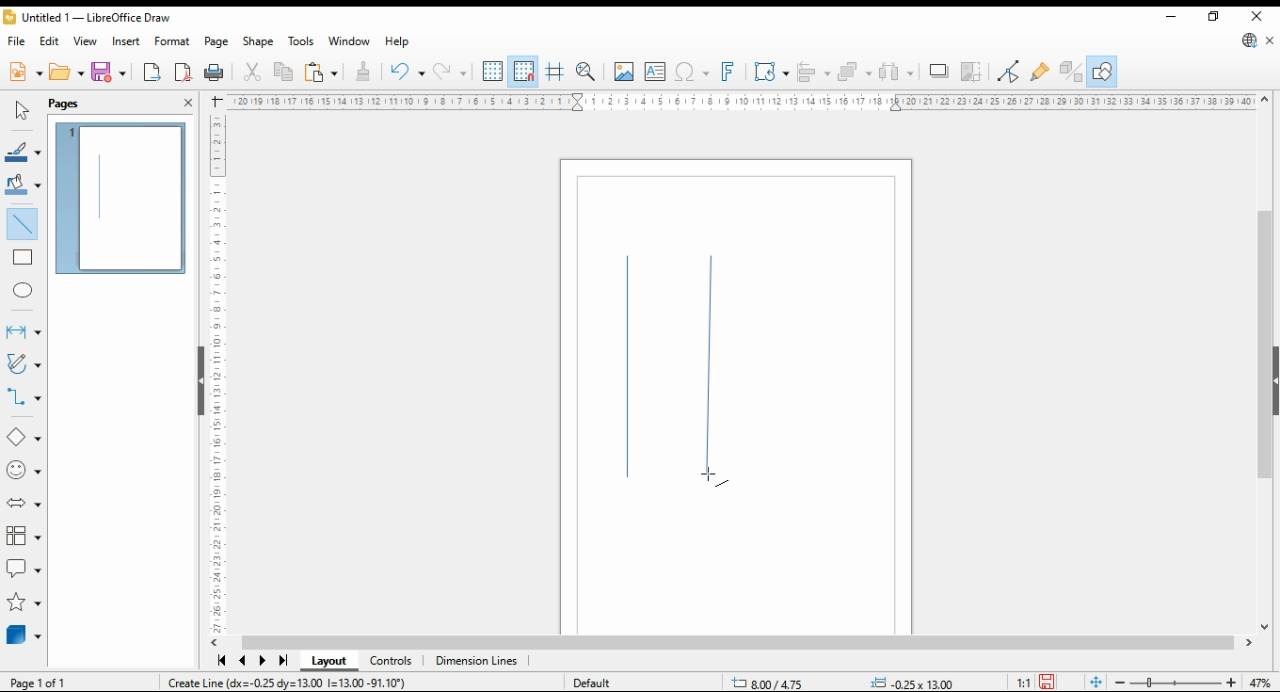 The image size is (1280, 692). Describe the element at coordinates (20, 438) in the screenshot. I see `basic shapes` at that location.